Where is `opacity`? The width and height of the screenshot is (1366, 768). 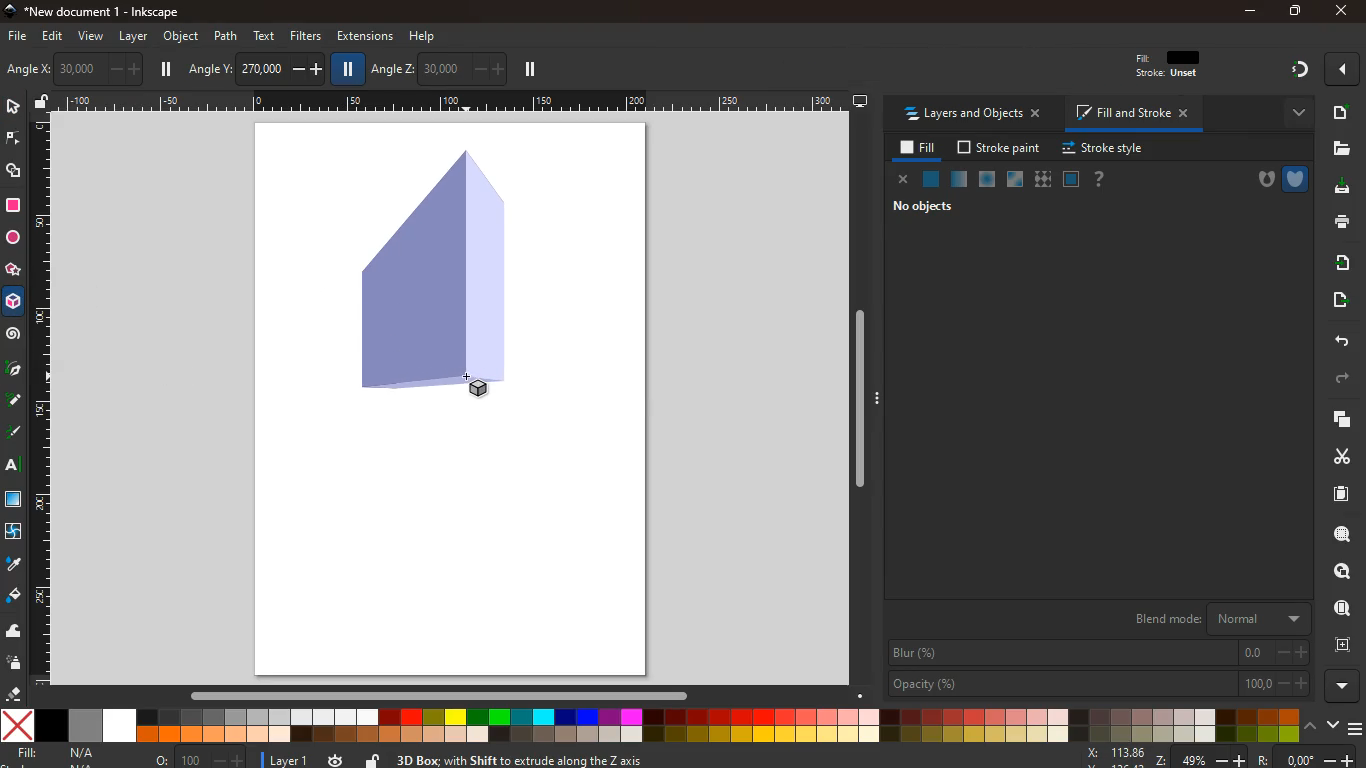
opacity is located at coordinates (1097, 685).